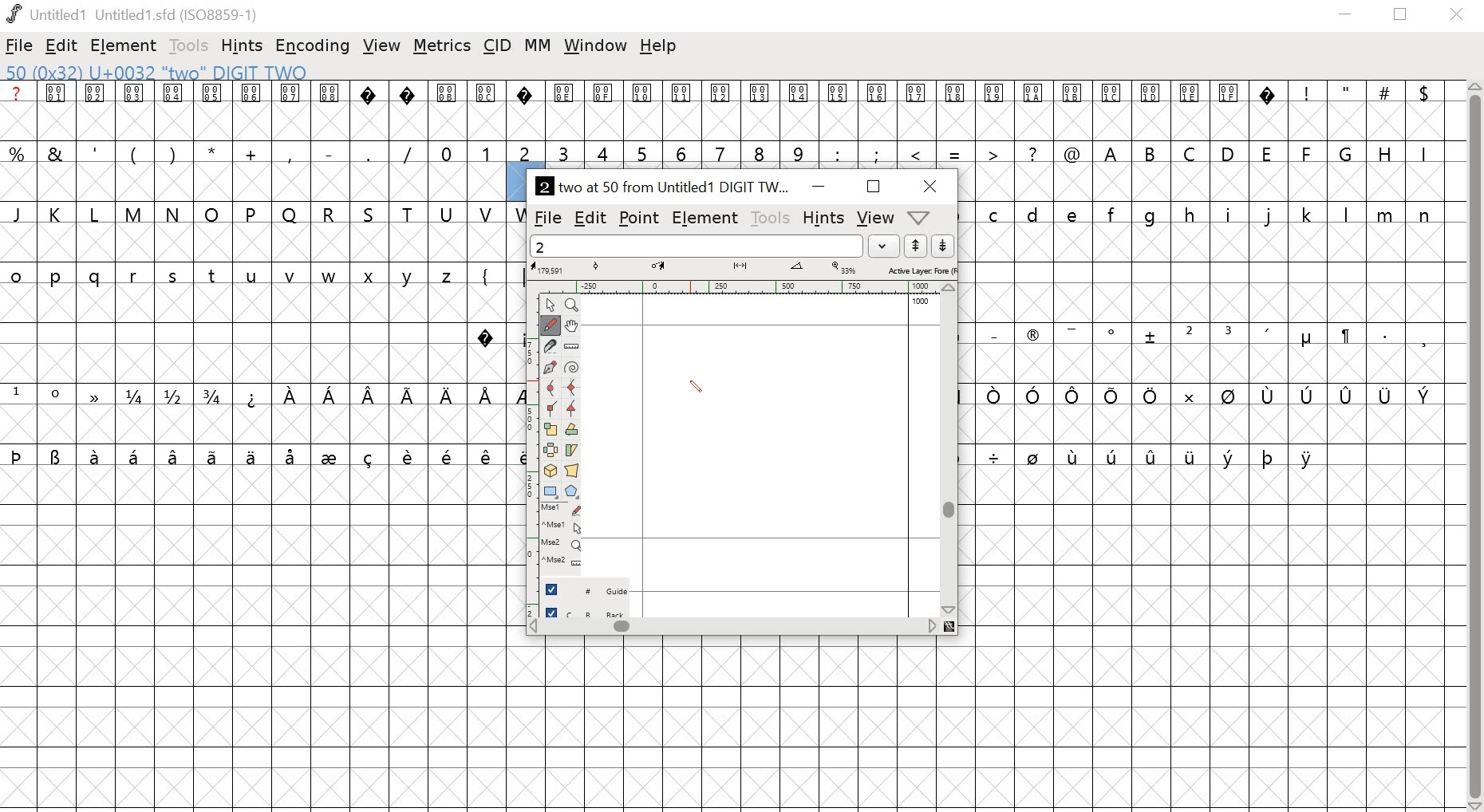  What do you see at coordinates (1205, 488) in the screenshot?
I see `glyphs` at bounding box center [1205, 488].